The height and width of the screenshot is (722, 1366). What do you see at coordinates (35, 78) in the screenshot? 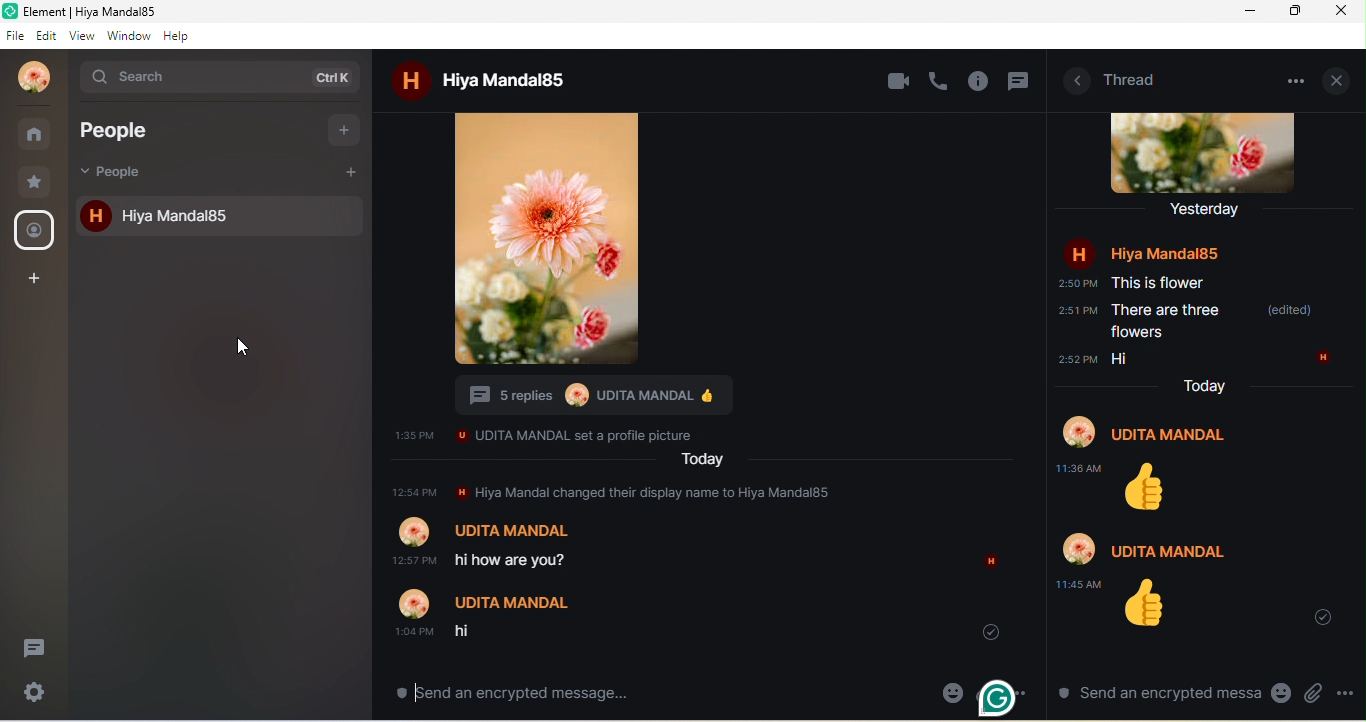
I see `profile photo` at bounding box center [35, 78].